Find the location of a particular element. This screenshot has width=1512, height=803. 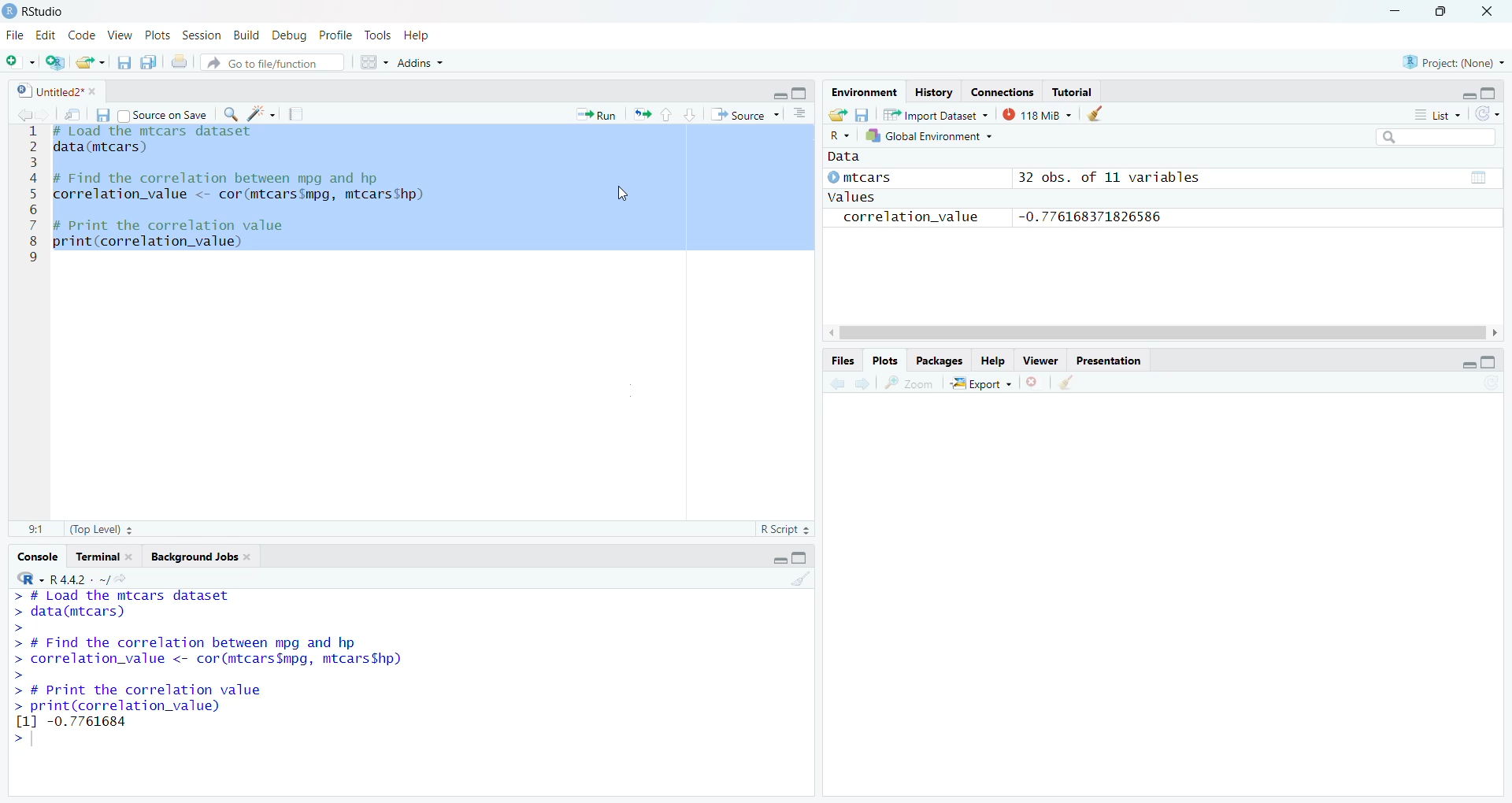

© mtcars 32 obs. of 11 variables
values
correlation_value -0.776168371826586 is located at coordinates (1039, 191).